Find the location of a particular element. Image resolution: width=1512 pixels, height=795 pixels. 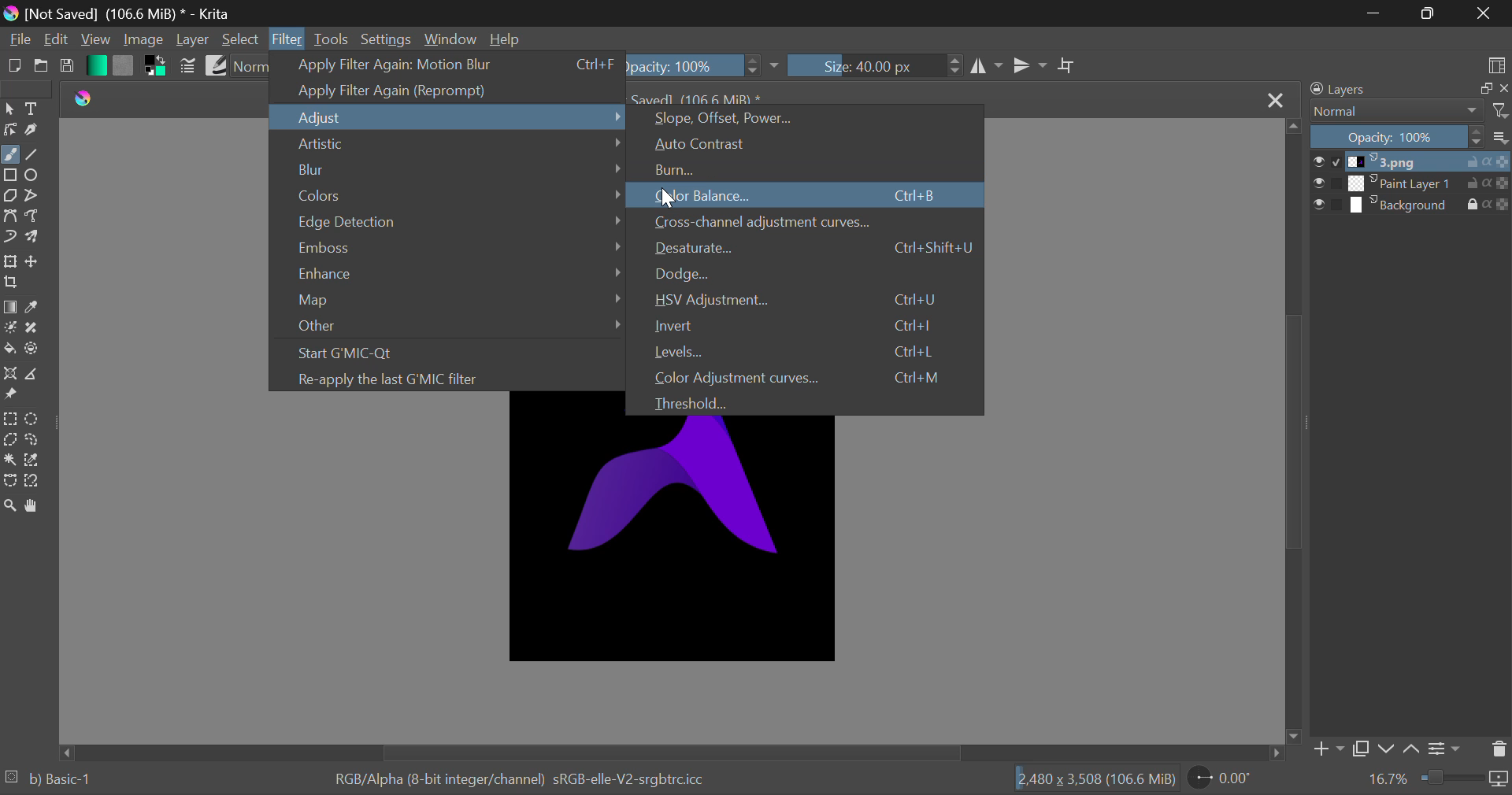

Colors is located at coordinates (457, 191).